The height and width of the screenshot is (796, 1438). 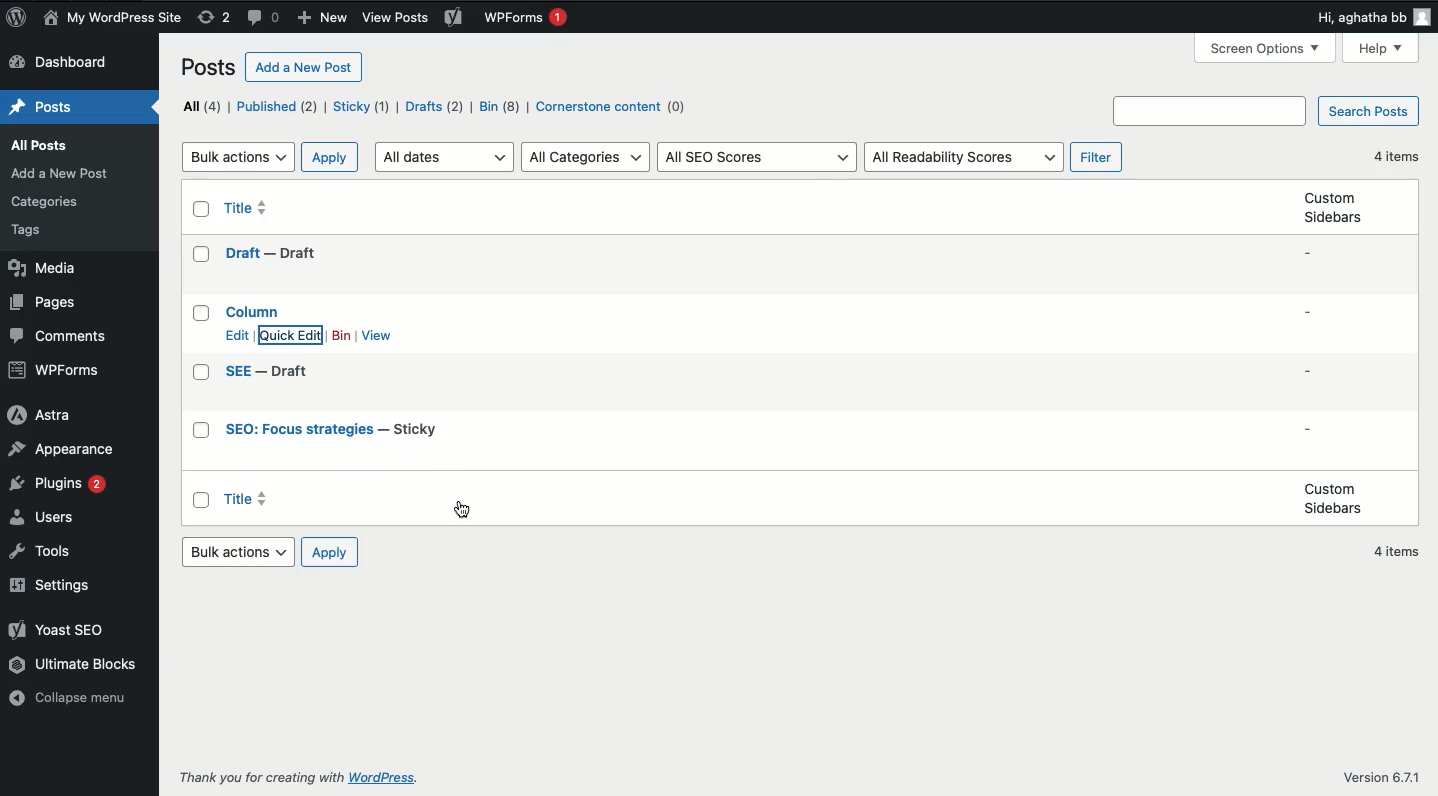 What do you see at coordinates (455, 22) in the screenshot?
I see `Yoast` at bounding box center [455, 22].